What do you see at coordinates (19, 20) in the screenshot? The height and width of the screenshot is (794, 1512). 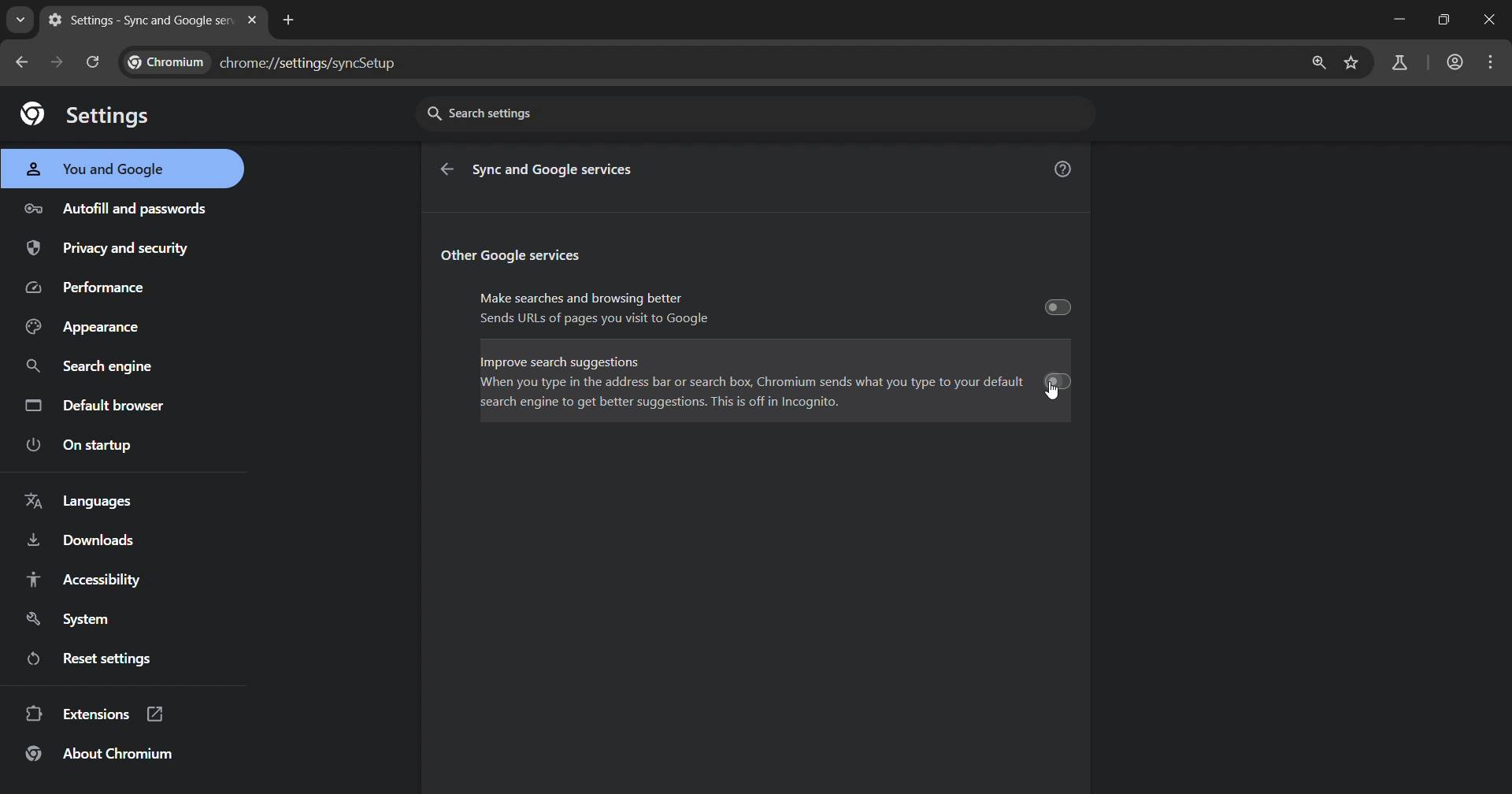 I see `search tabs` at bounding box center [19, 20].